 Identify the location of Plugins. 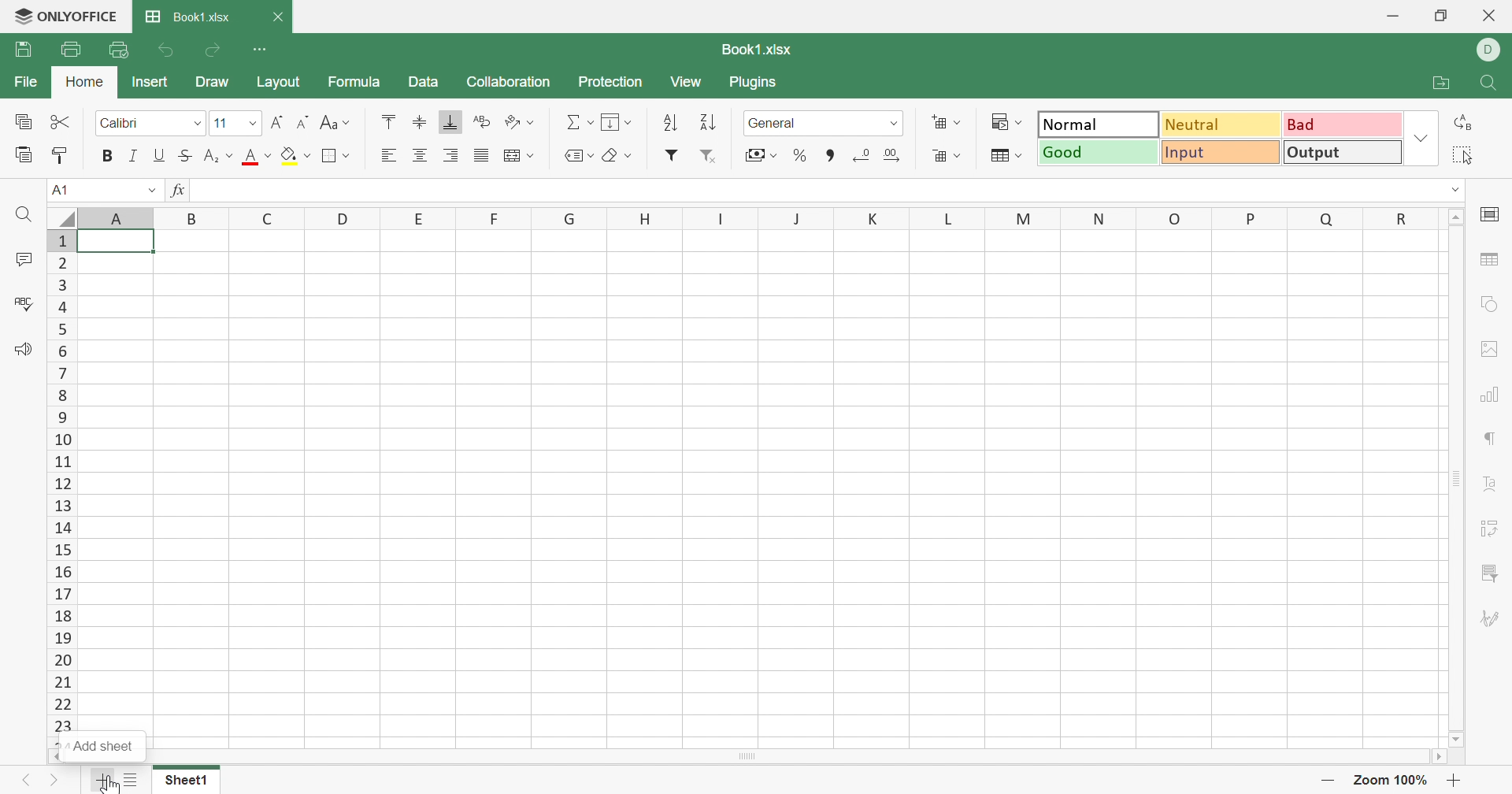
(757, 82).